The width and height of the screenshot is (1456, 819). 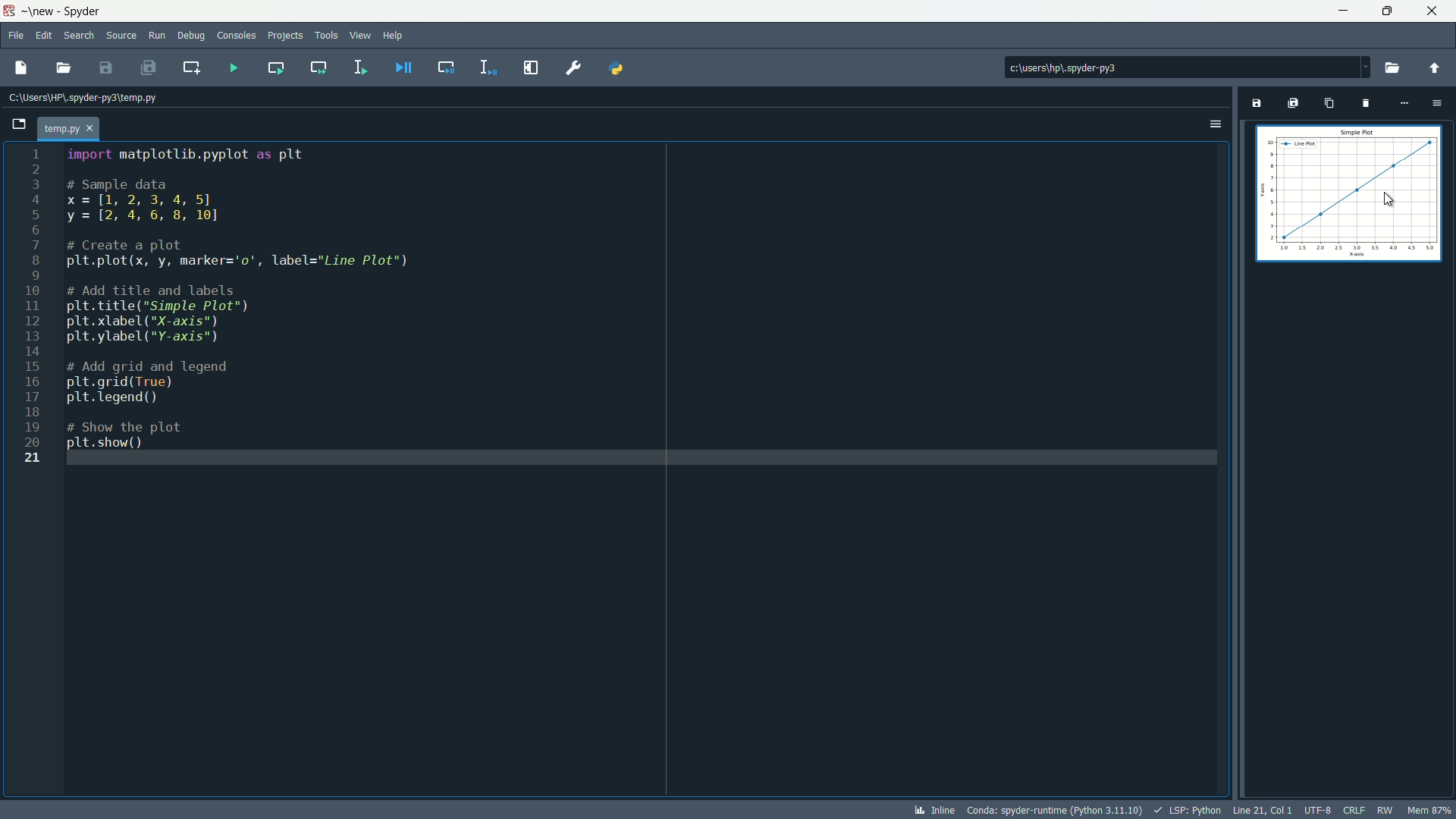 I want to click on mem 86% , so click(x=1429, y=809).